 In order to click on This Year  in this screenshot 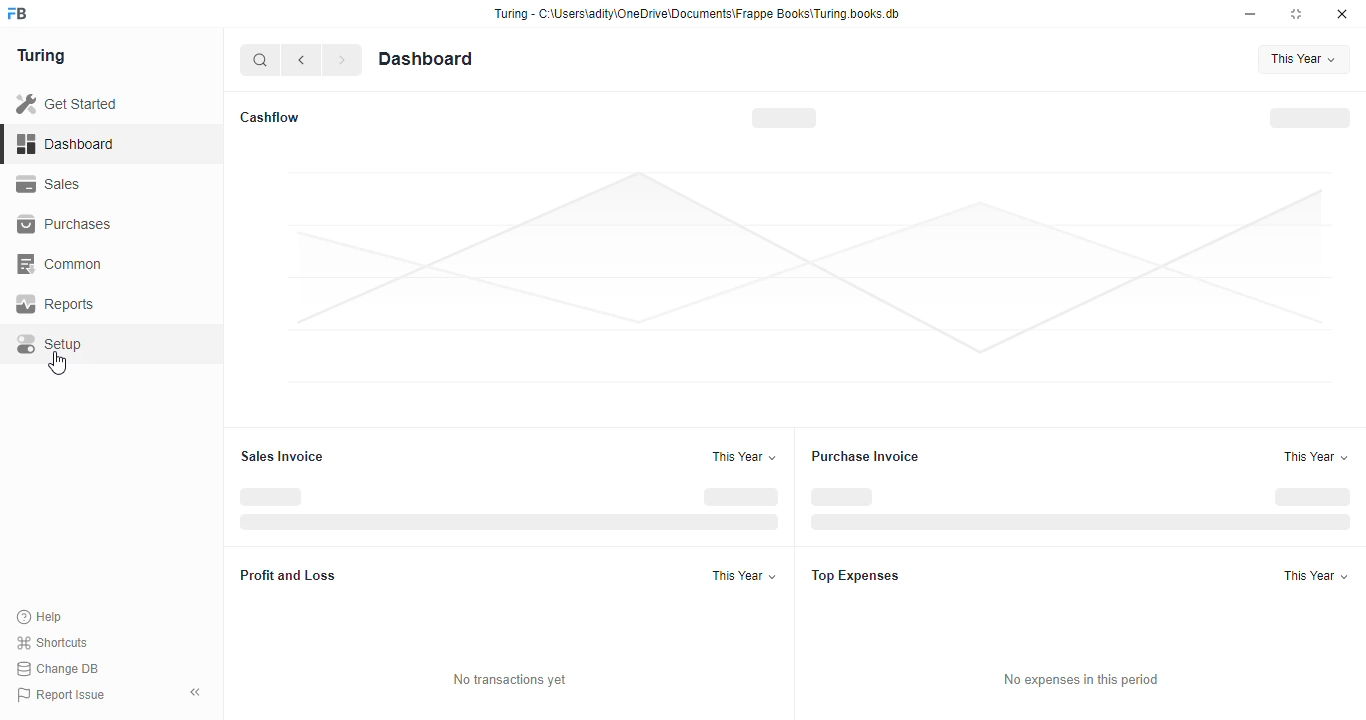, I will do `click(744, 455)`.